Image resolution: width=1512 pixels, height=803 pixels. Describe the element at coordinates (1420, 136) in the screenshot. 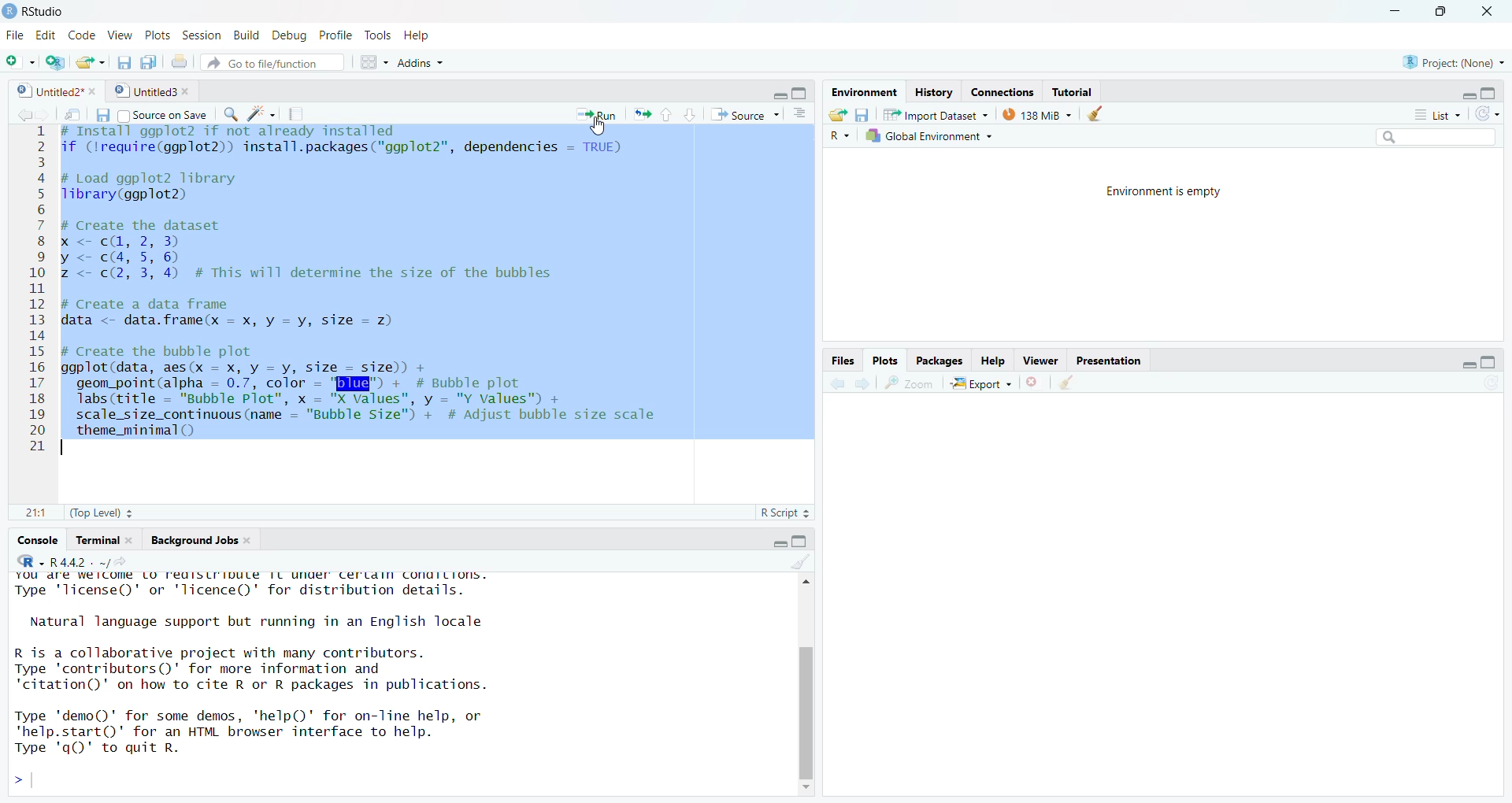

I see `Search` at that location.